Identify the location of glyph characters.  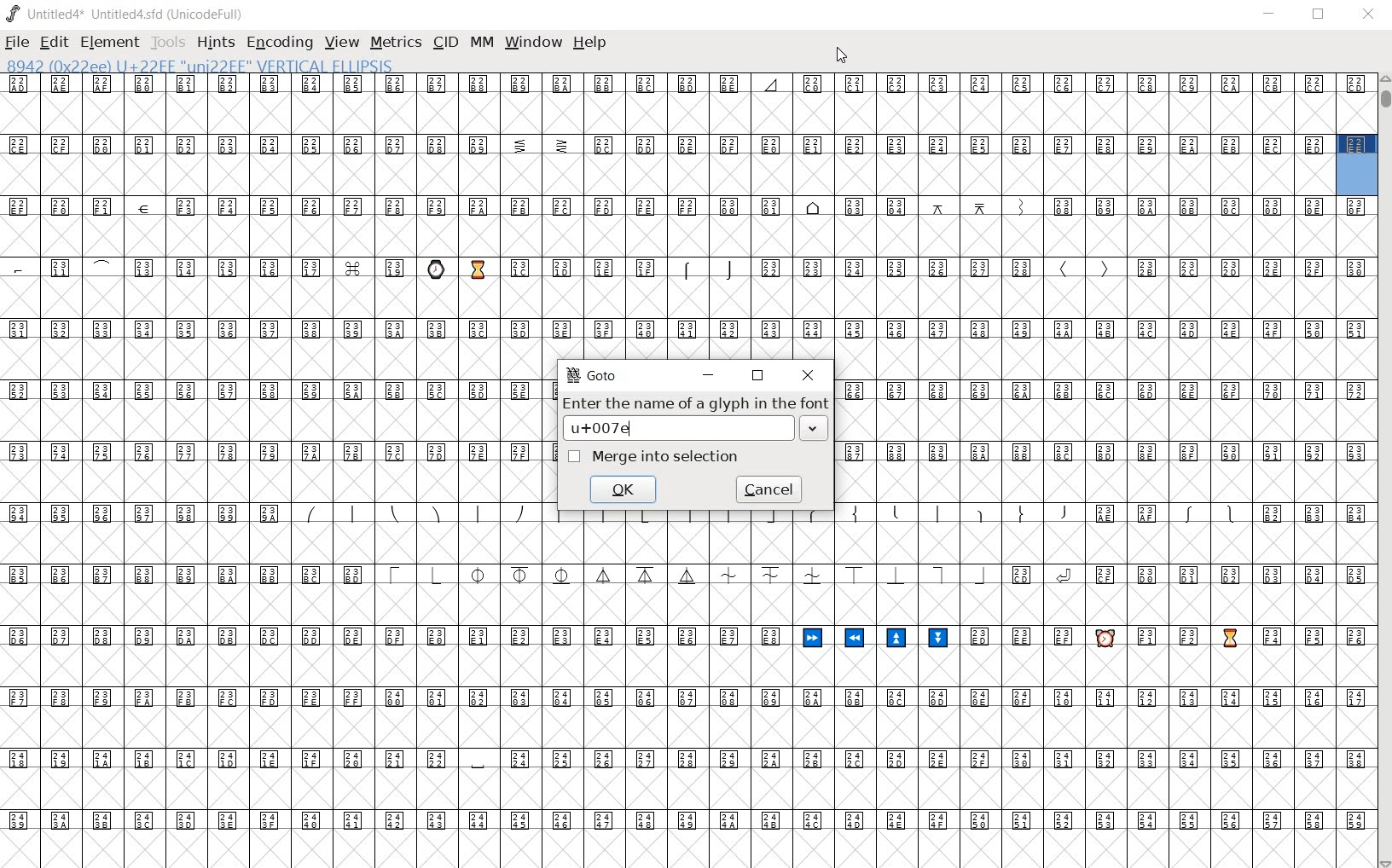
(269, 472).